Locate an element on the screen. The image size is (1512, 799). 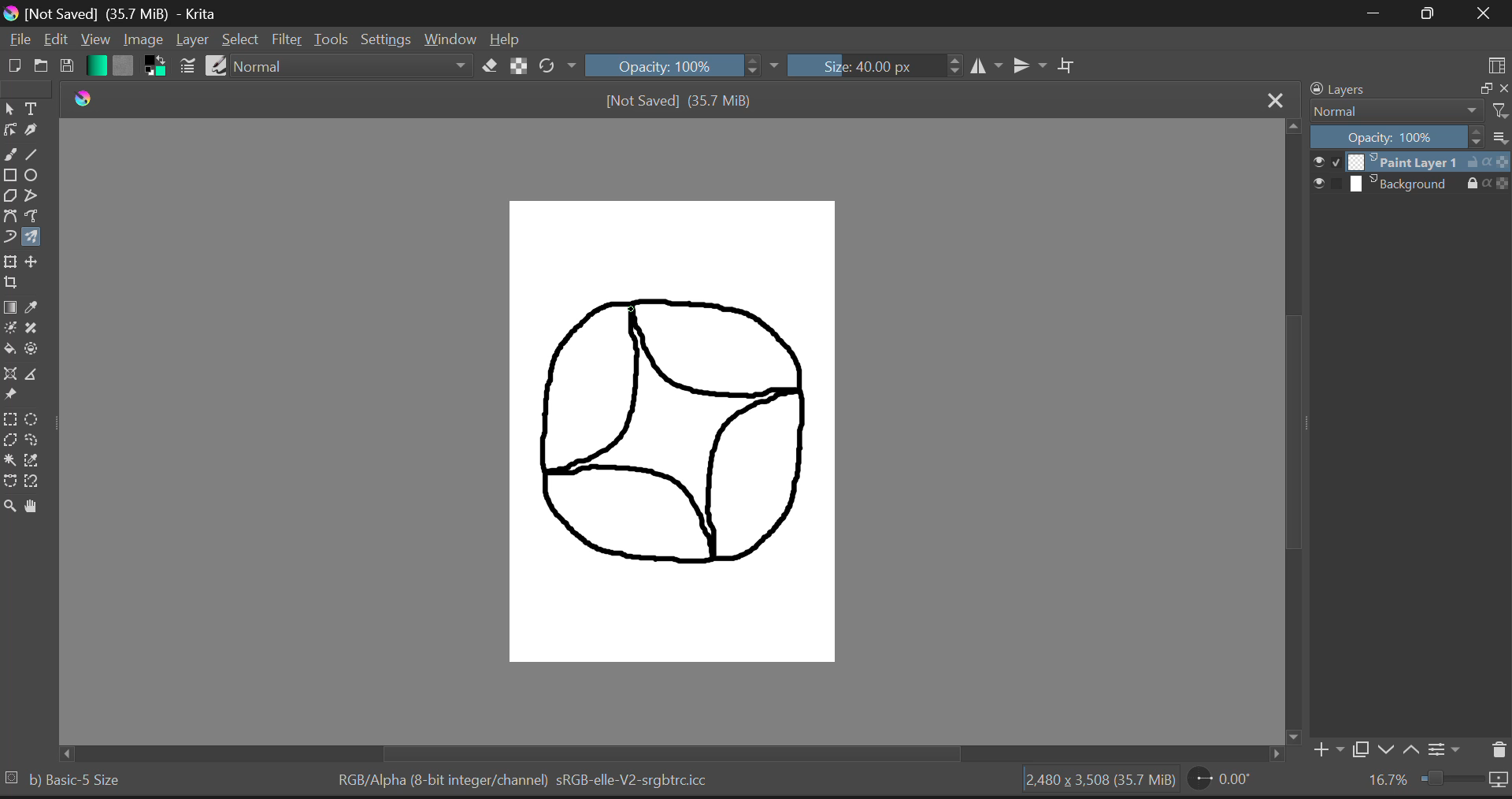
Rotate is located at coordinates (557, 65).